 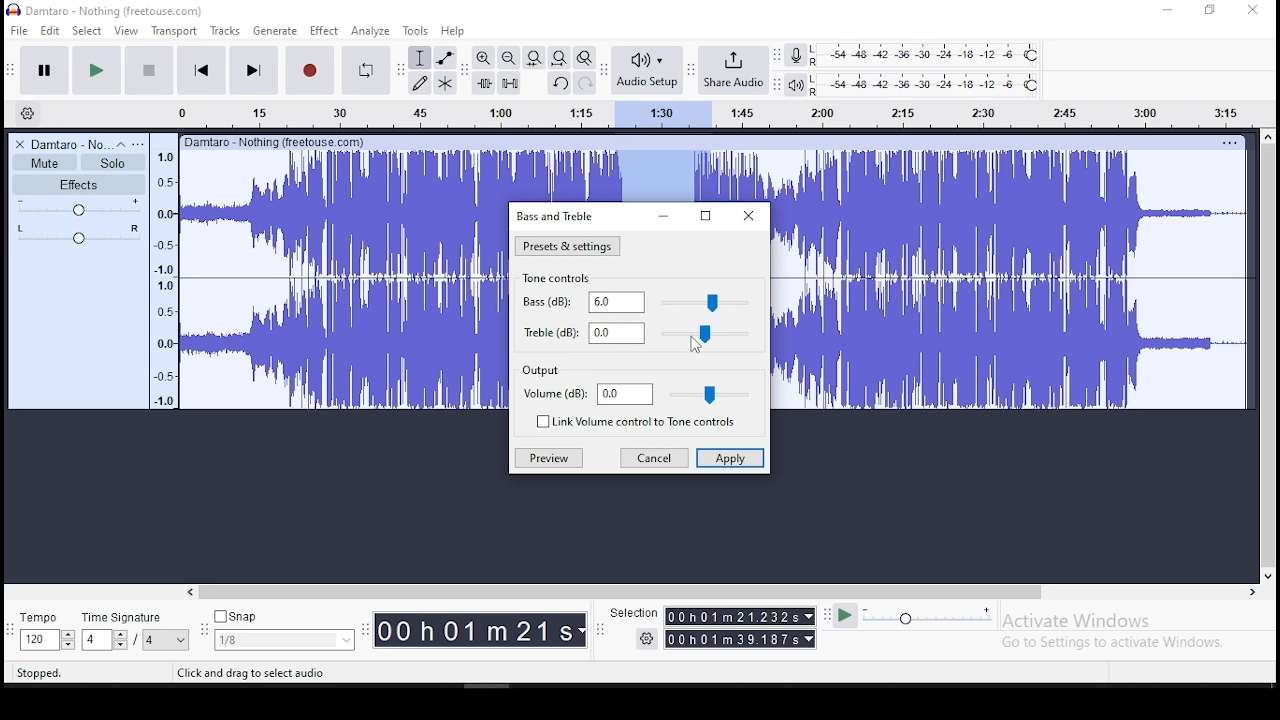 What do you see at coordinates (1267, 573) in the screenshot?
I see `down` at bounding box center [1267, 573].